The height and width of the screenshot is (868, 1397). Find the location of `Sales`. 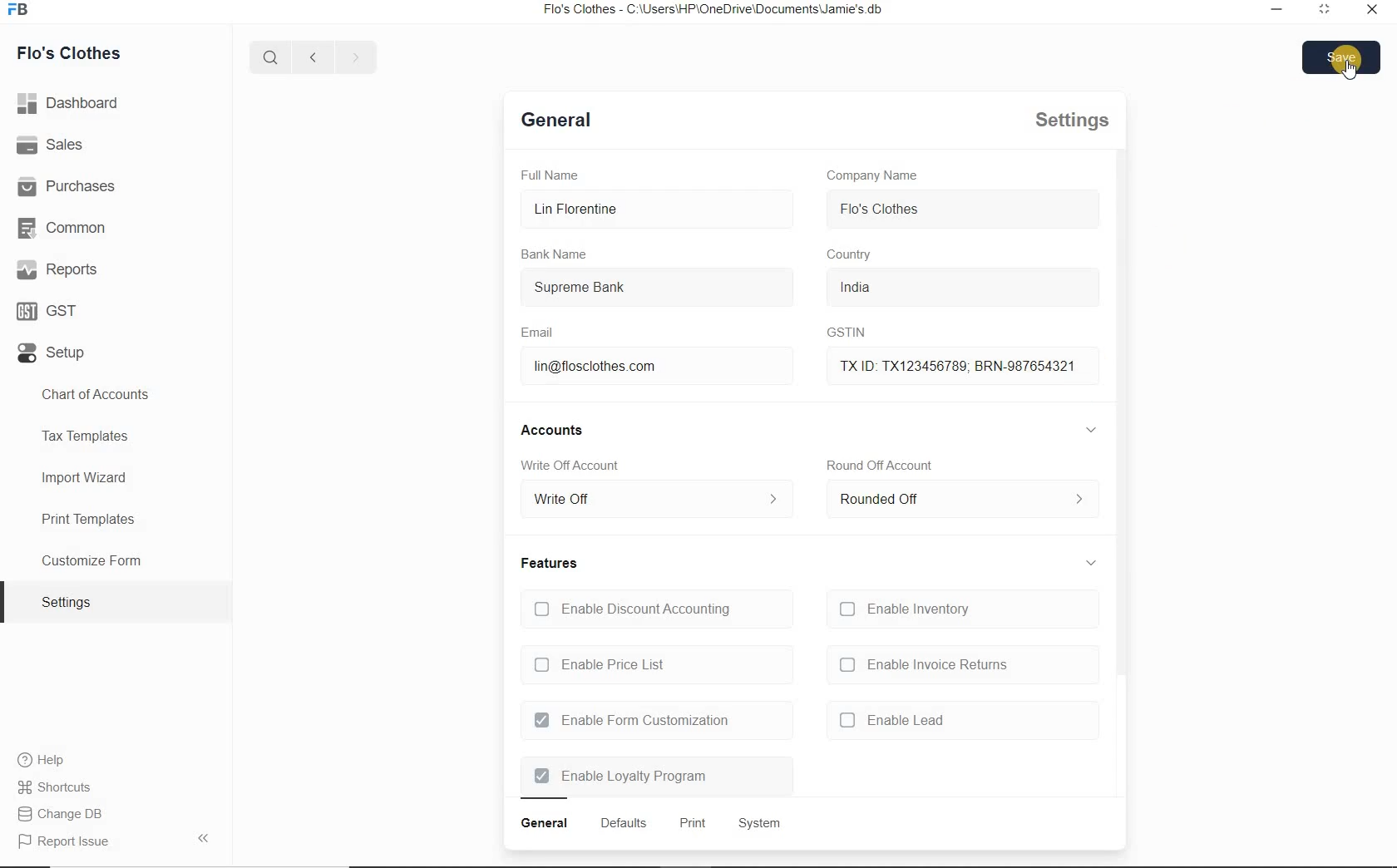

Sales is located at coordinates (53, 146).